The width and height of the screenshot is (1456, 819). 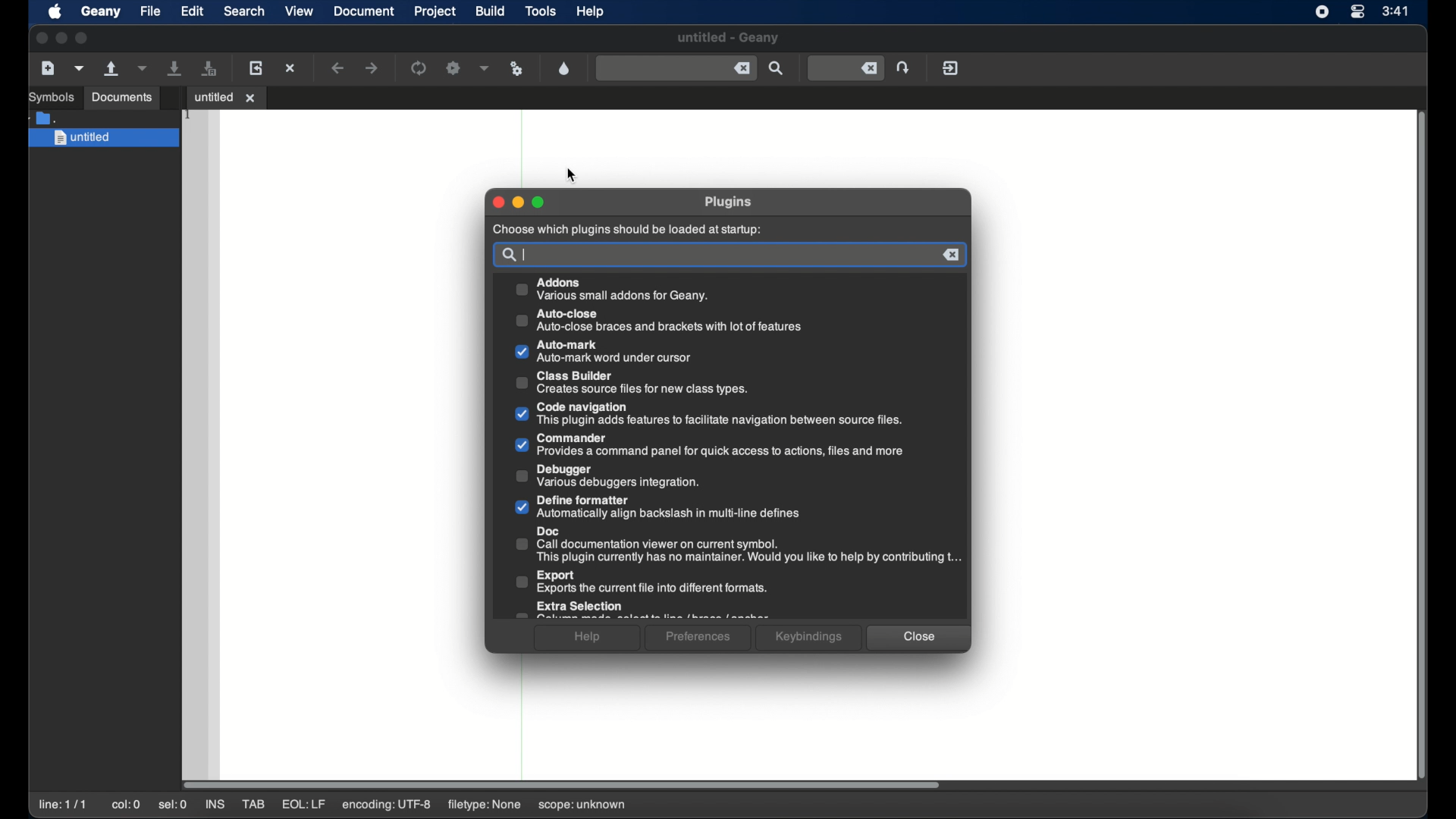 I want to click on find entered text in current file, so click(x=777, y=69).